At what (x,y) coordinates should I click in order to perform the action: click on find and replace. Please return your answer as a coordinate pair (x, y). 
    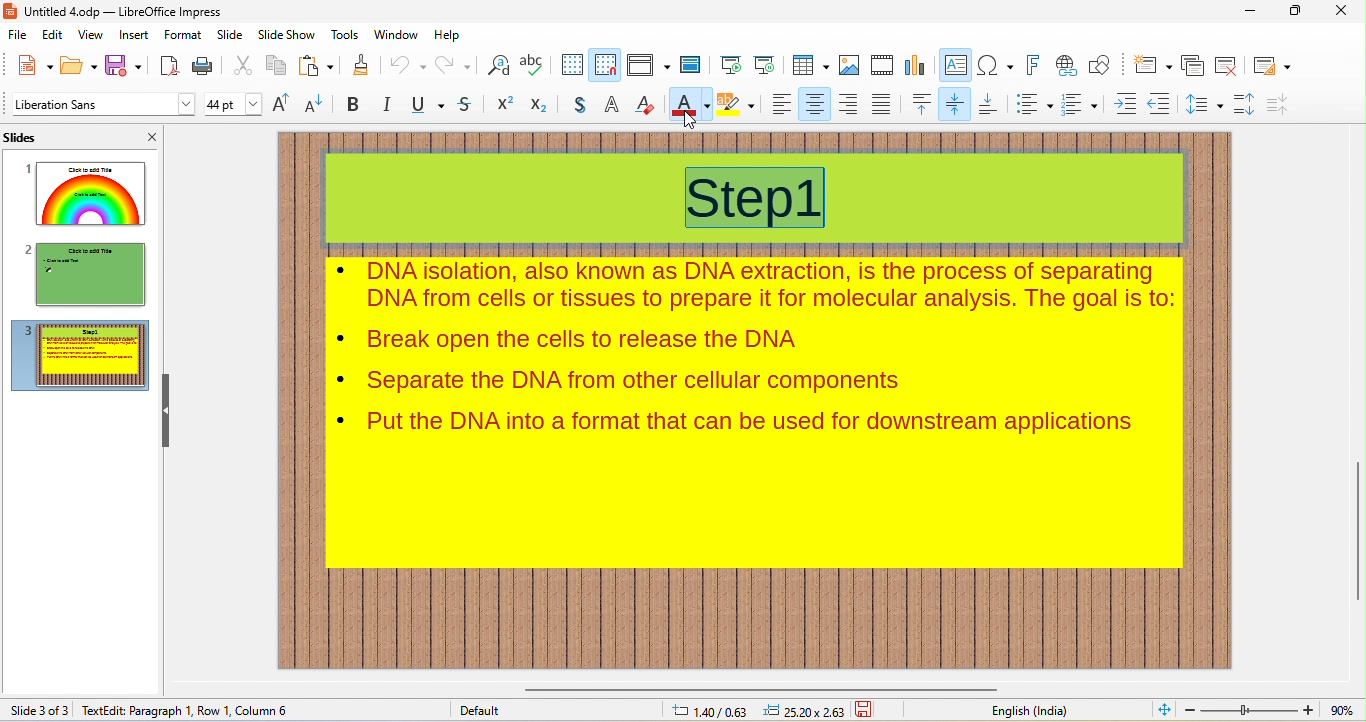
    Looking at the image, I should click on (499, 65).